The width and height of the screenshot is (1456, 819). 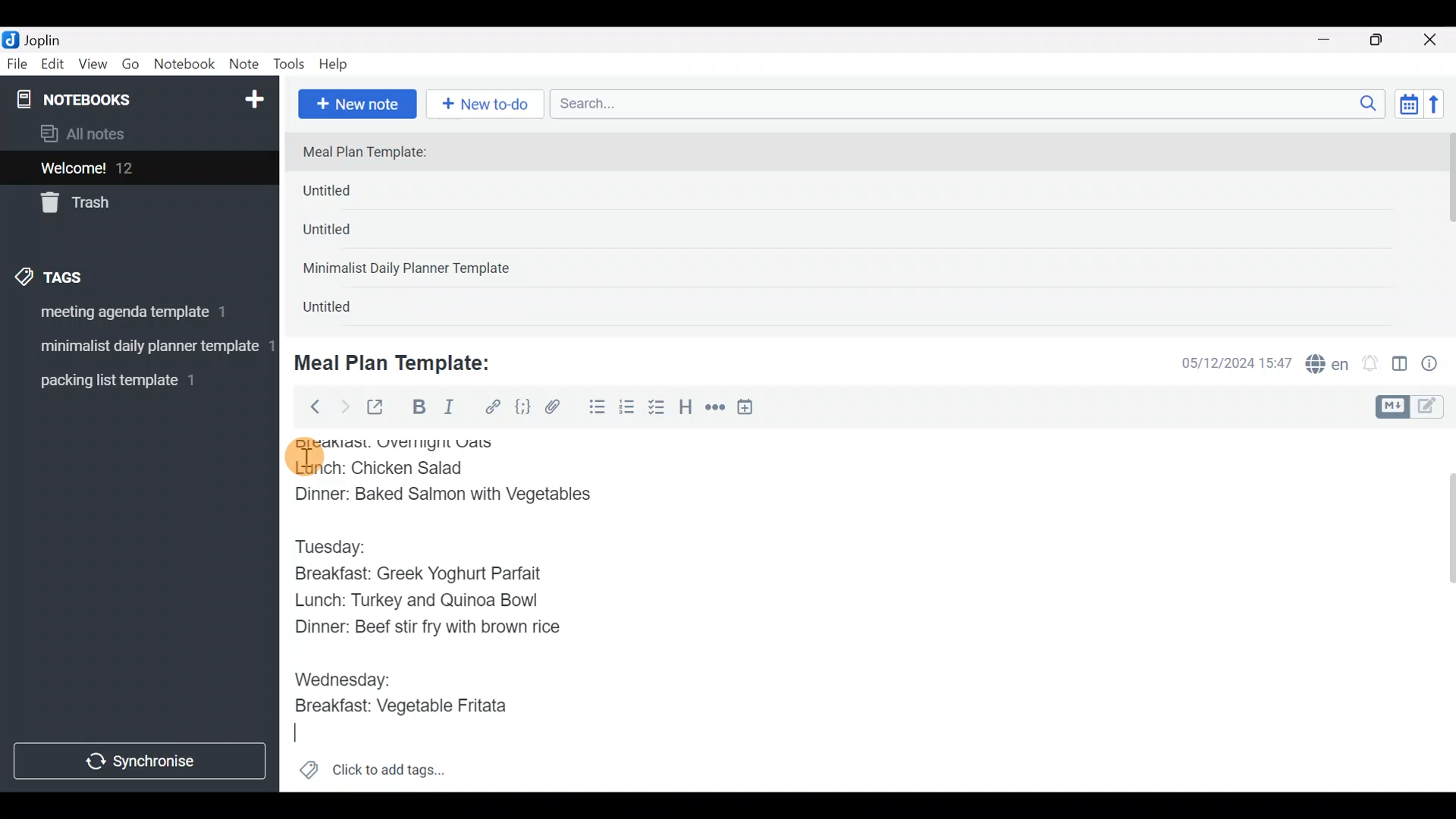 What do you see at coordinates (344, 310) in the screenshot?
I see `Untitled` at bounding box center [344, 310].